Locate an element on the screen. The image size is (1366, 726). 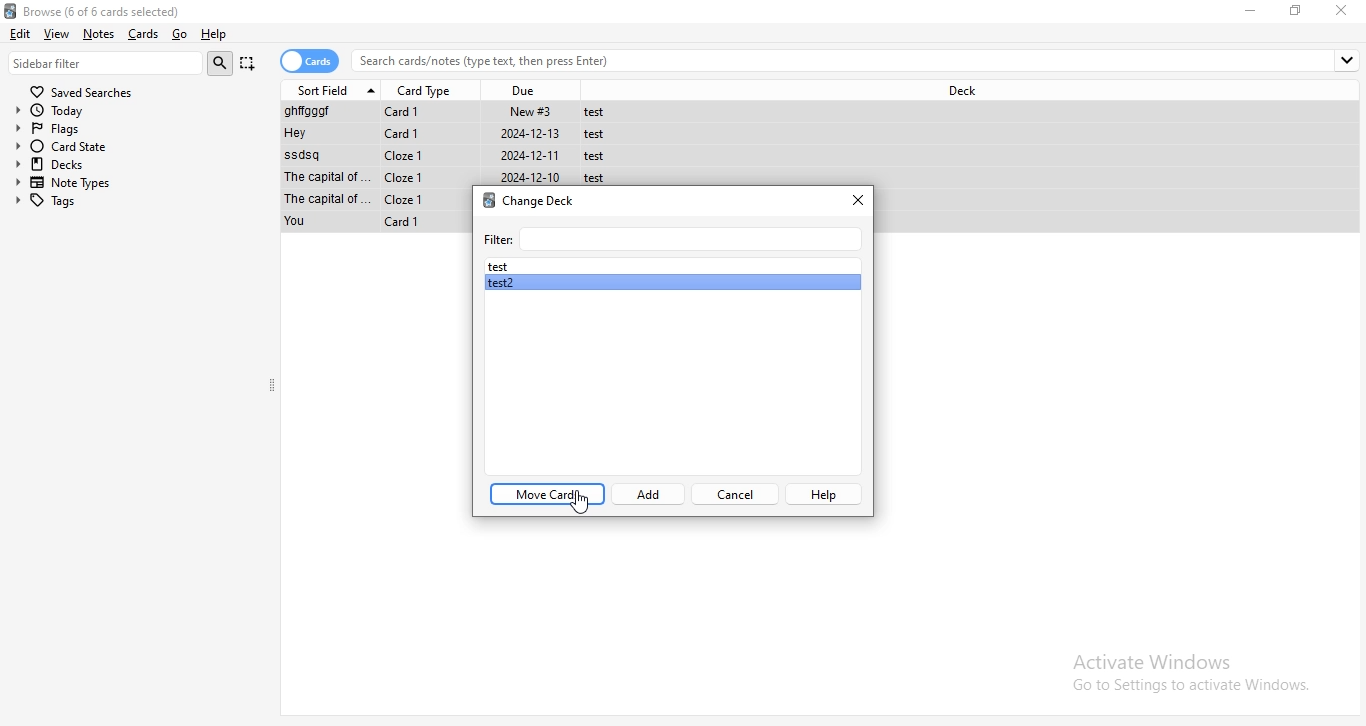
collapse is located at coordinates (273, 387).